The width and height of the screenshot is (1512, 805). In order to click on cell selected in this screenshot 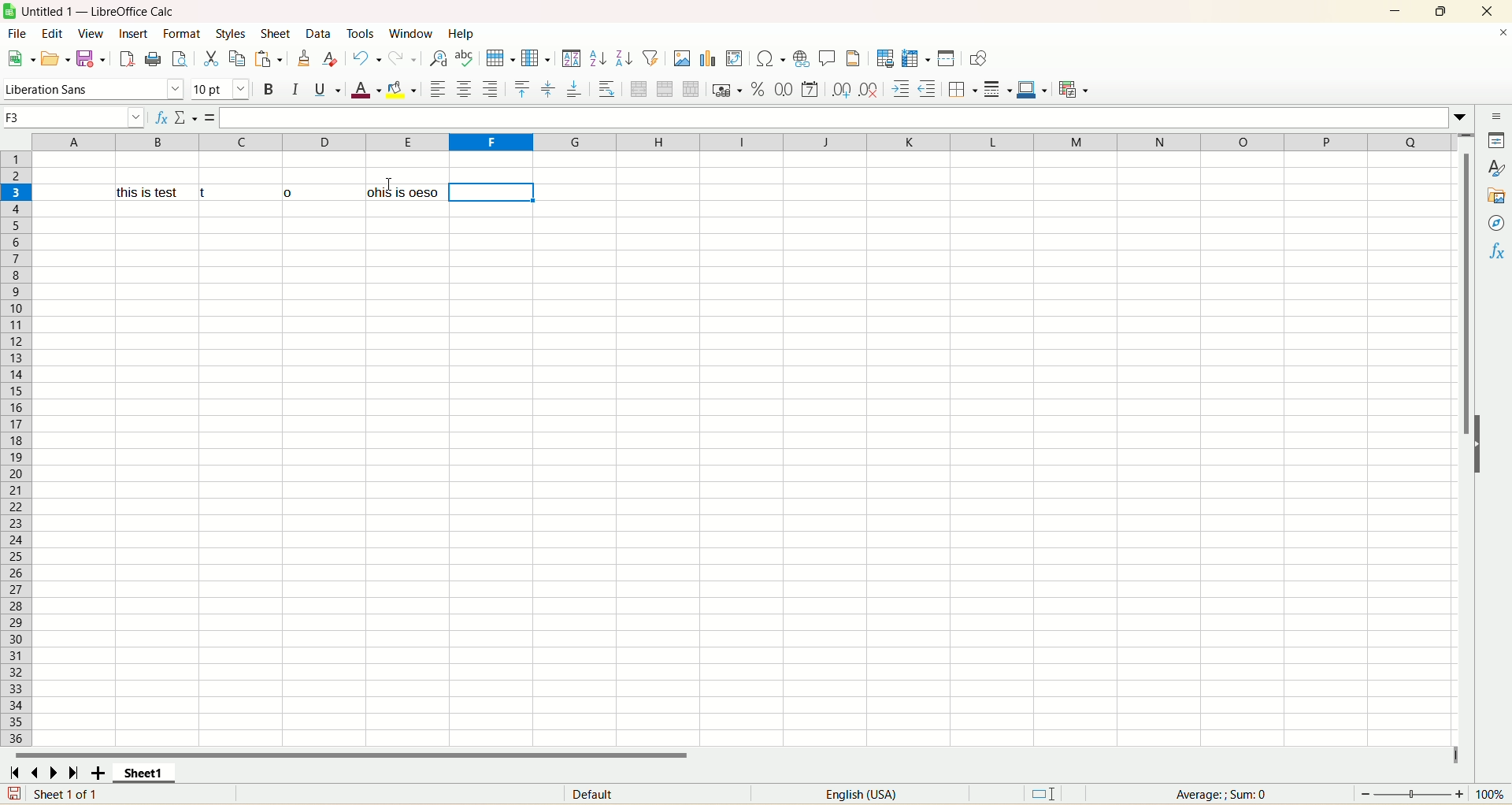, I will do `click(494, 193)`.